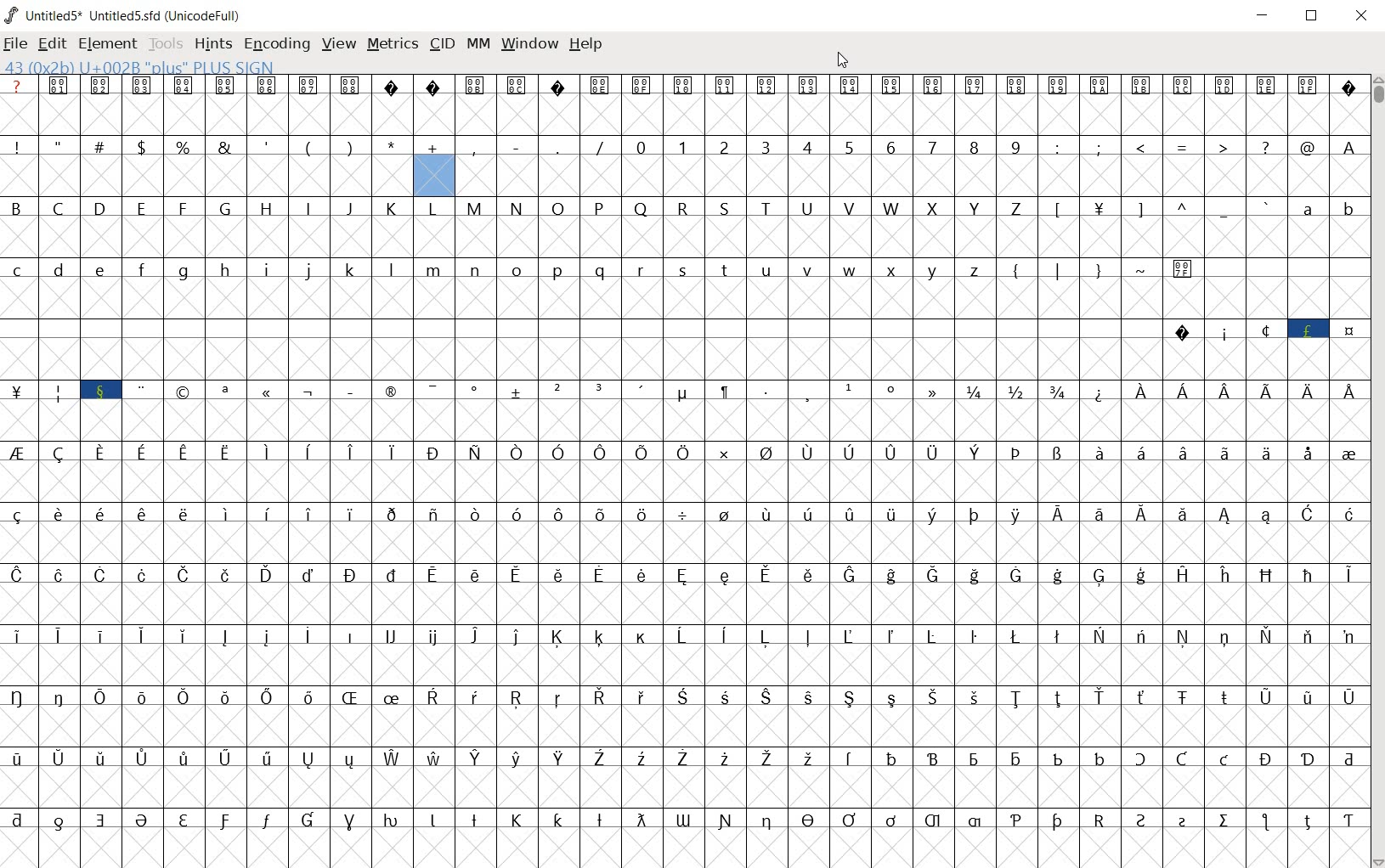 This screenshot has width=1385, height=868. What do you see at coordinates (705, 594) in the screenshot?
I see `accented letters` at bounding box center [705, 594].